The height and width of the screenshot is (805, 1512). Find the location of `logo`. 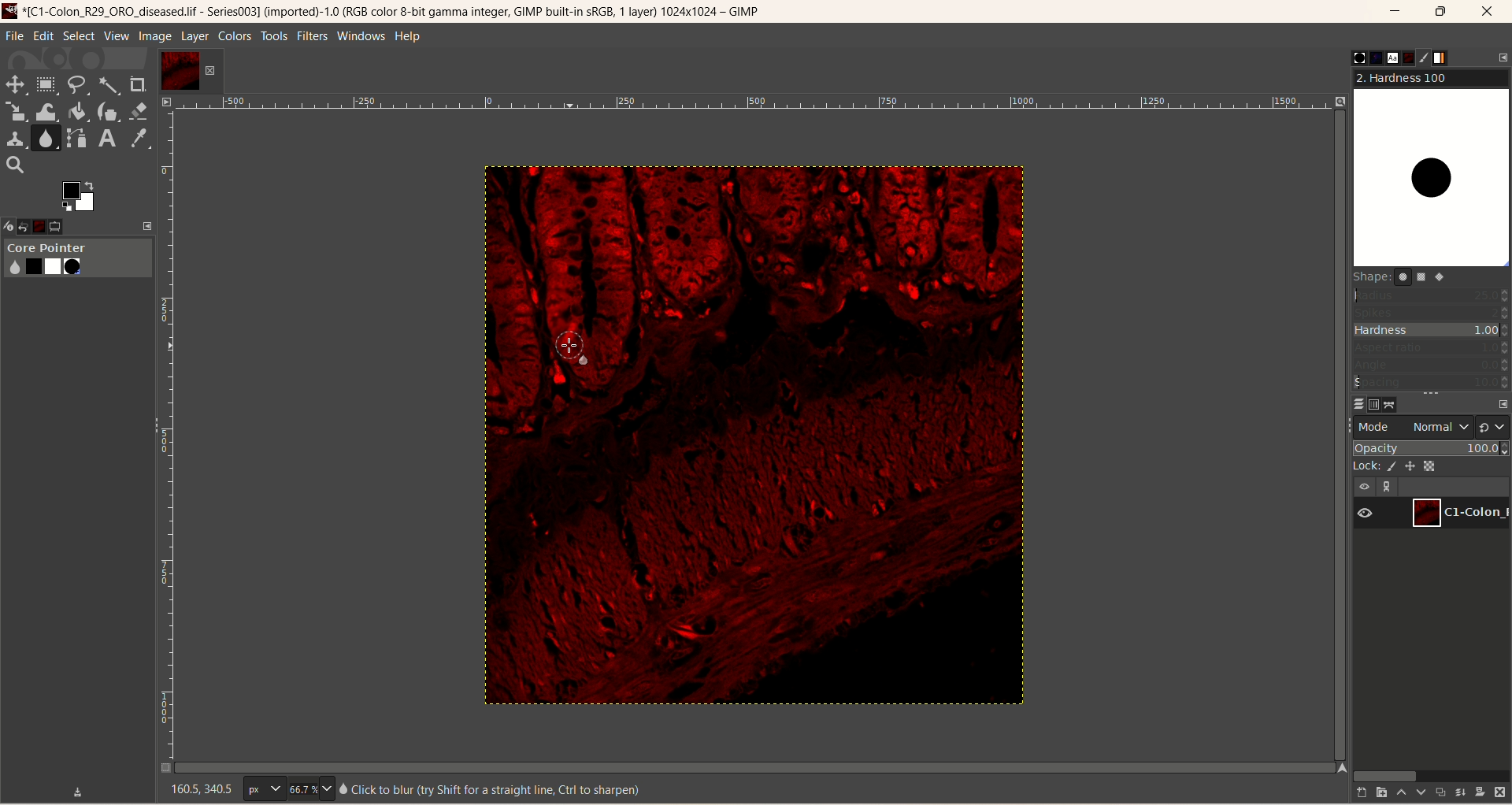

logo is located at coordinates (12, 10).